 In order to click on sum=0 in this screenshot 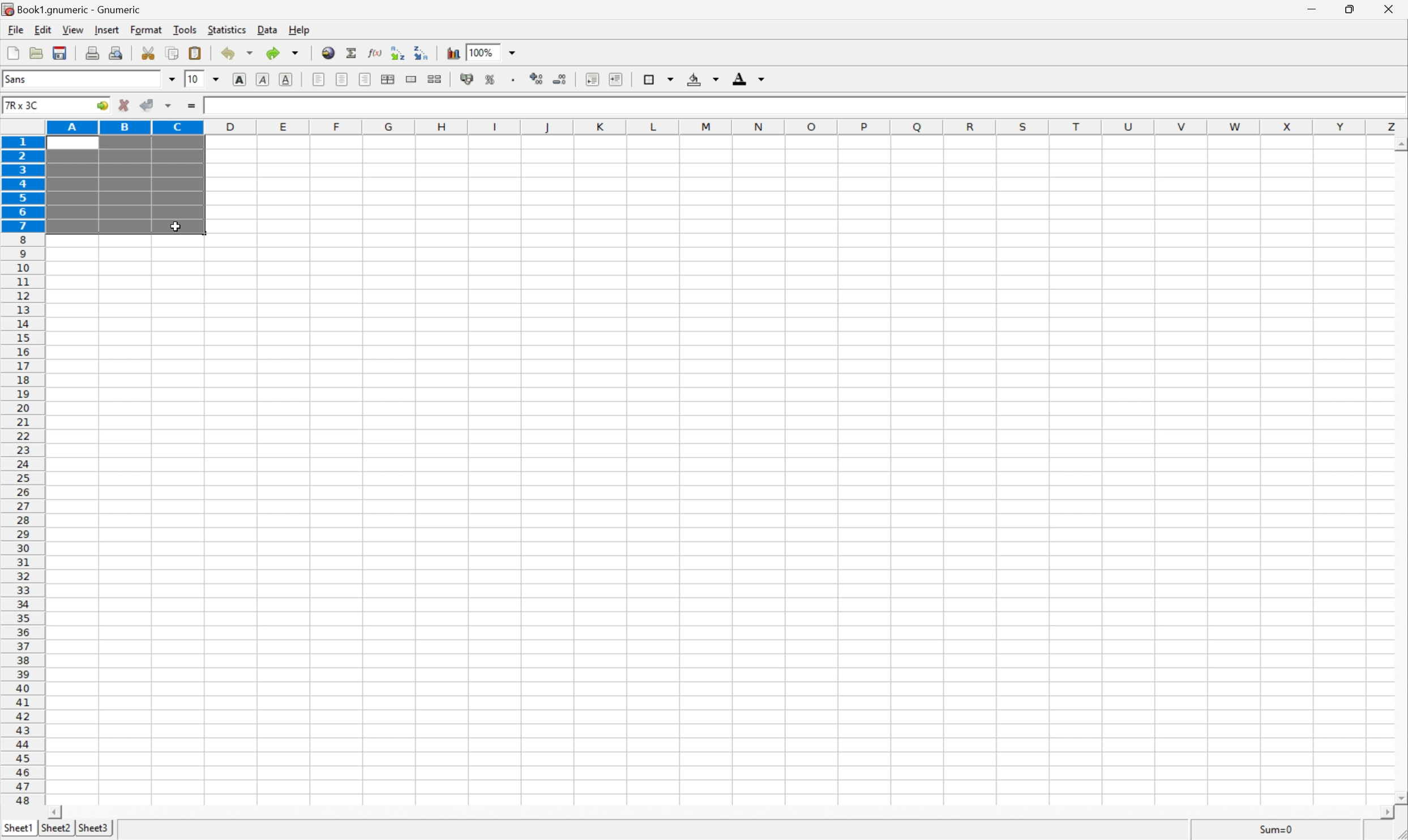, I will do `click(1281, 830)`.